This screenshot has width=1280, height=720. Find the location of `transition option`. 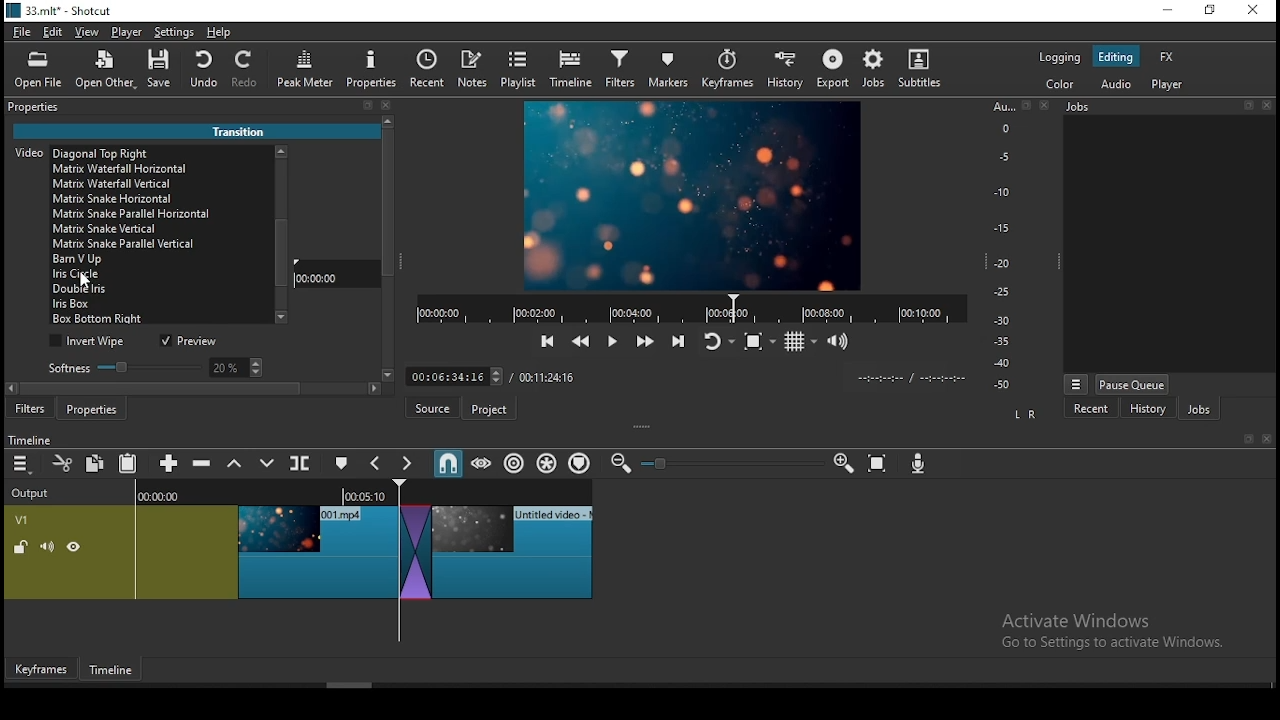

transition option is located at coordinates (158, 198).